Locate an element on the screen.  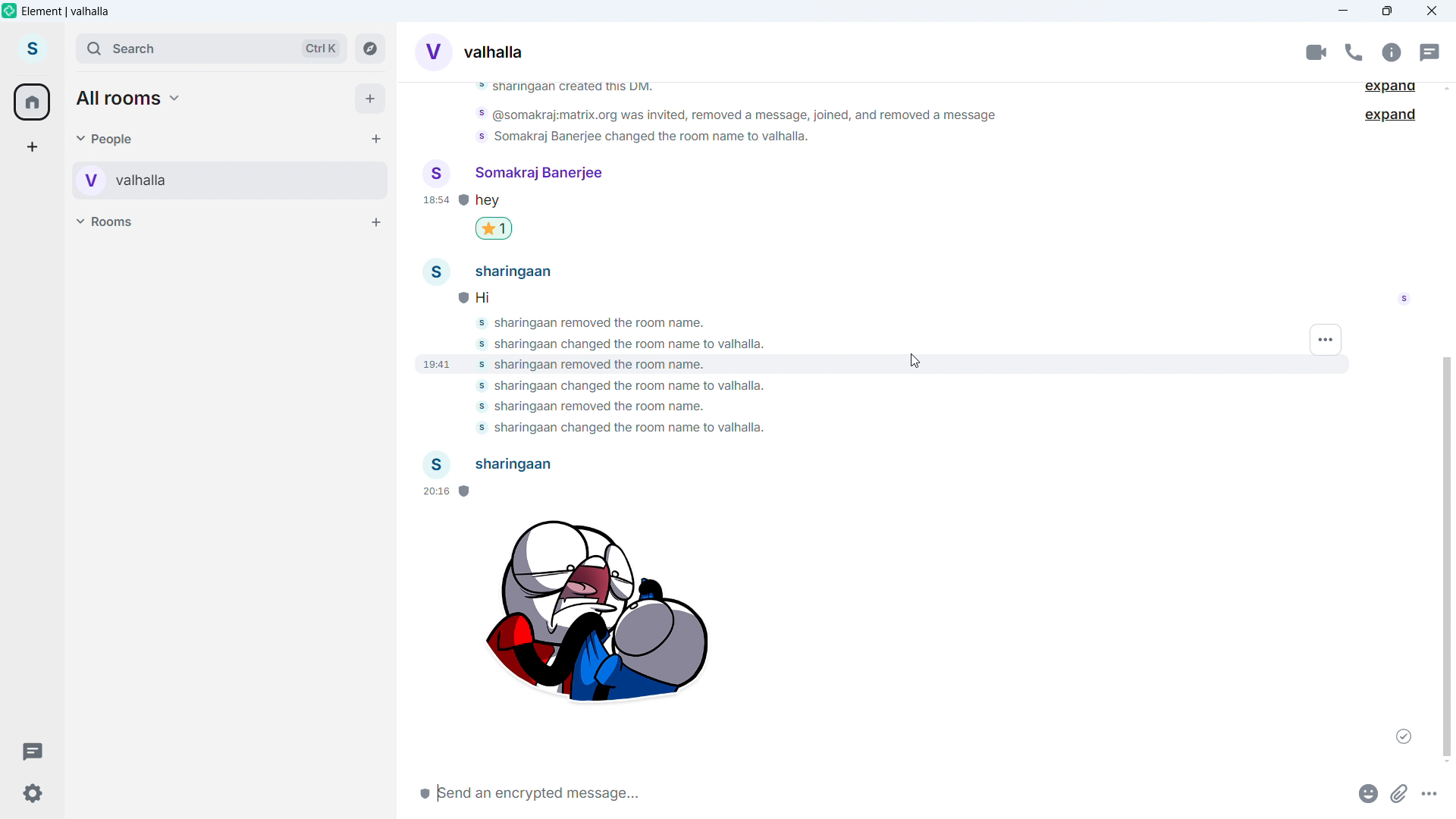
Threads is located at coordinates (32, 749).